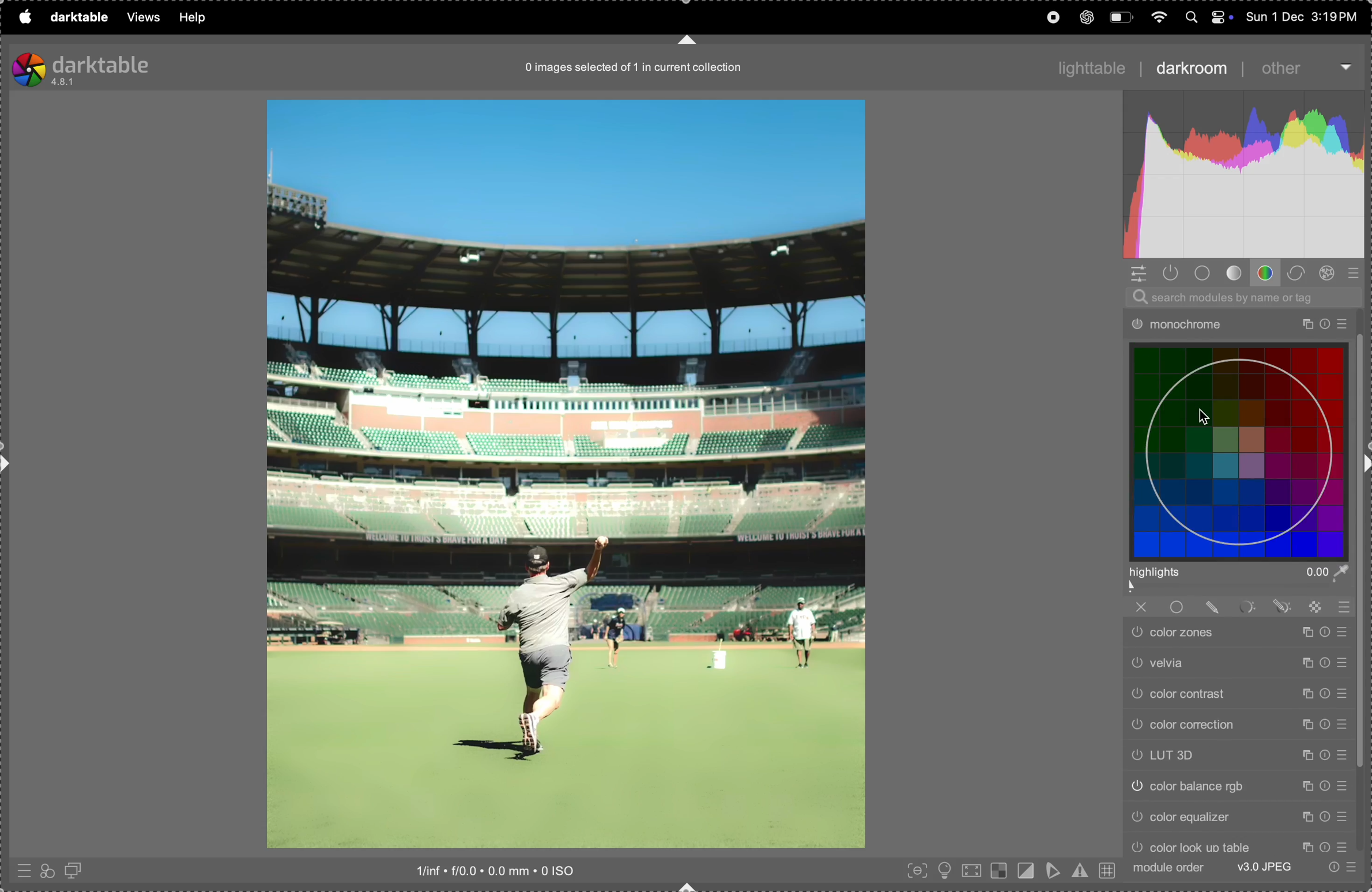 The width and height of the screenshot is (1372, 892). What do you see at coordinates (1240, 297) in the screenshot?
I see `search baar` at bounding box center [1240, 297].